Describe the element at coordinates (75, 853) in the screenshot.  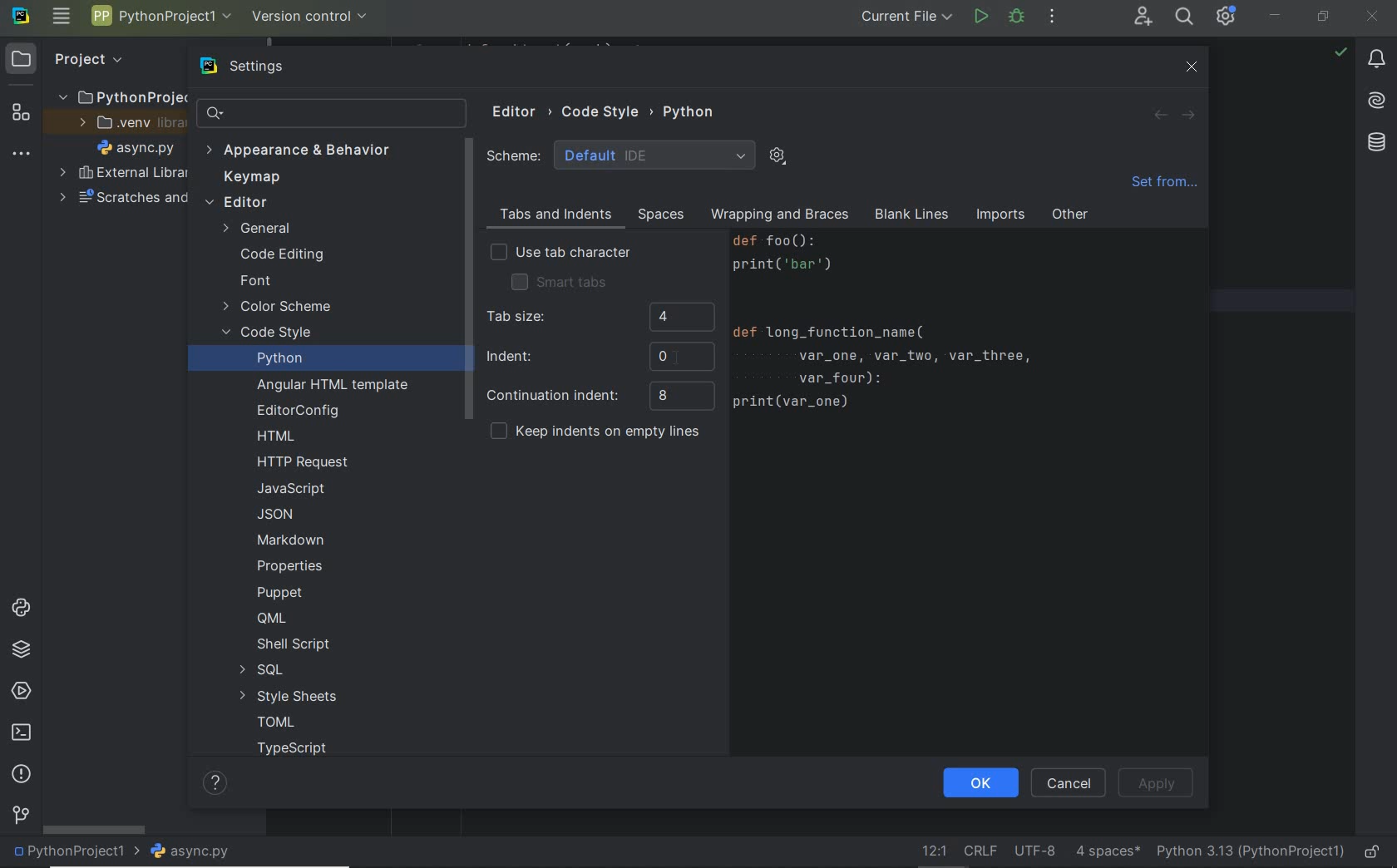
I see `project name` at that location.